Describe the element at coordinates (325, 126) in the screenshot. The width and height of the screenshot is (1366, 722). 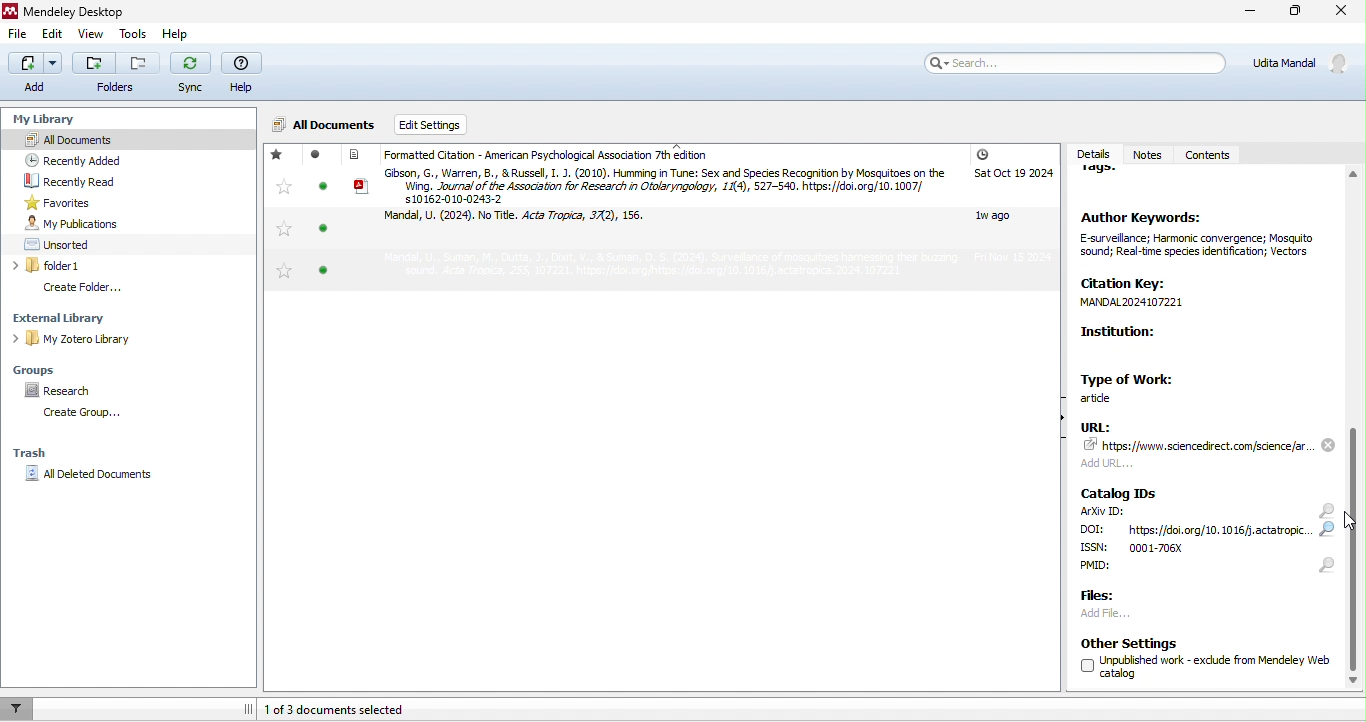
I see `All documents` at that location.